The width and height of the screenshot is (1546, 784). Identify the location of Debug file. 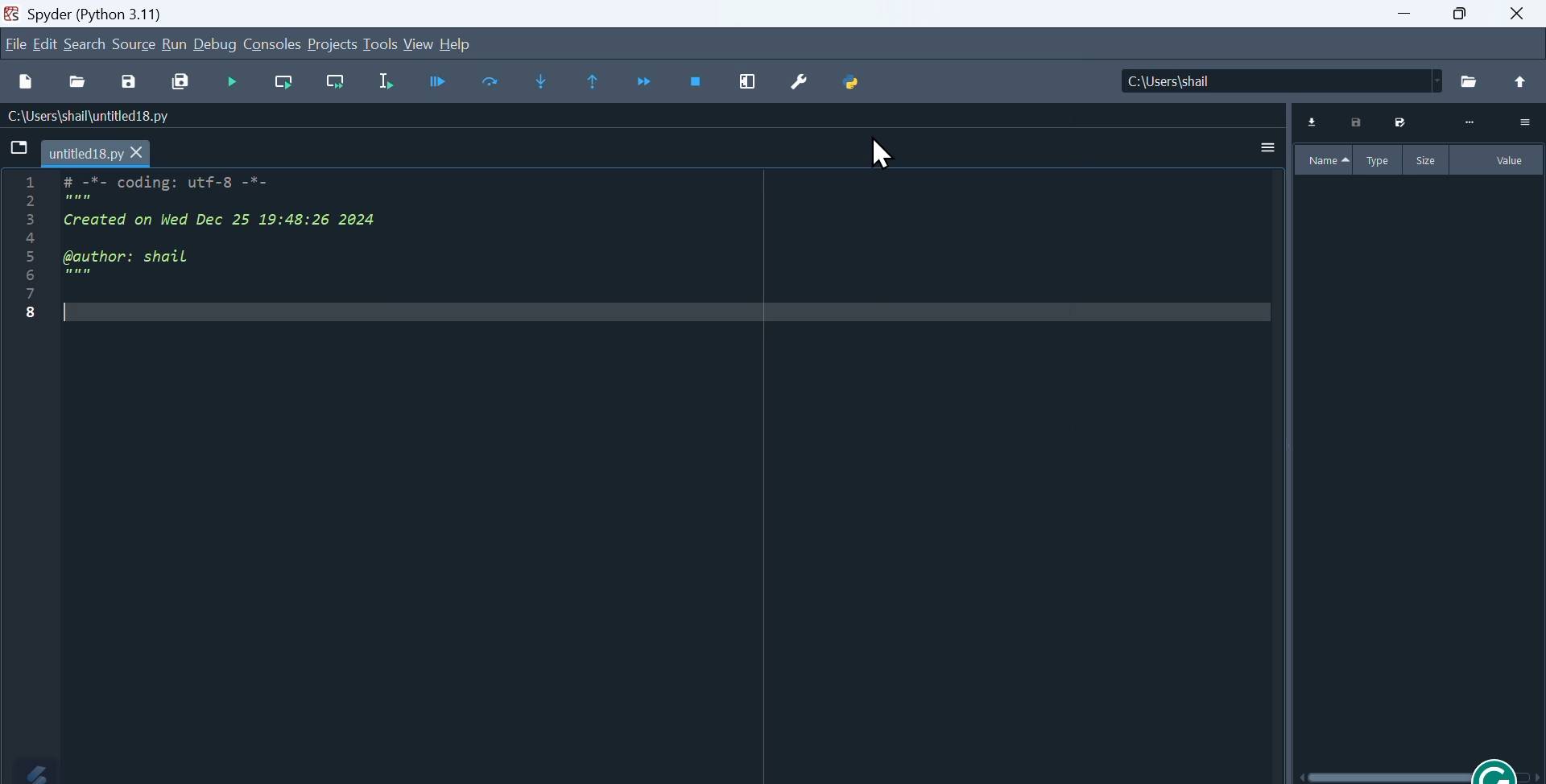
(436, 83).